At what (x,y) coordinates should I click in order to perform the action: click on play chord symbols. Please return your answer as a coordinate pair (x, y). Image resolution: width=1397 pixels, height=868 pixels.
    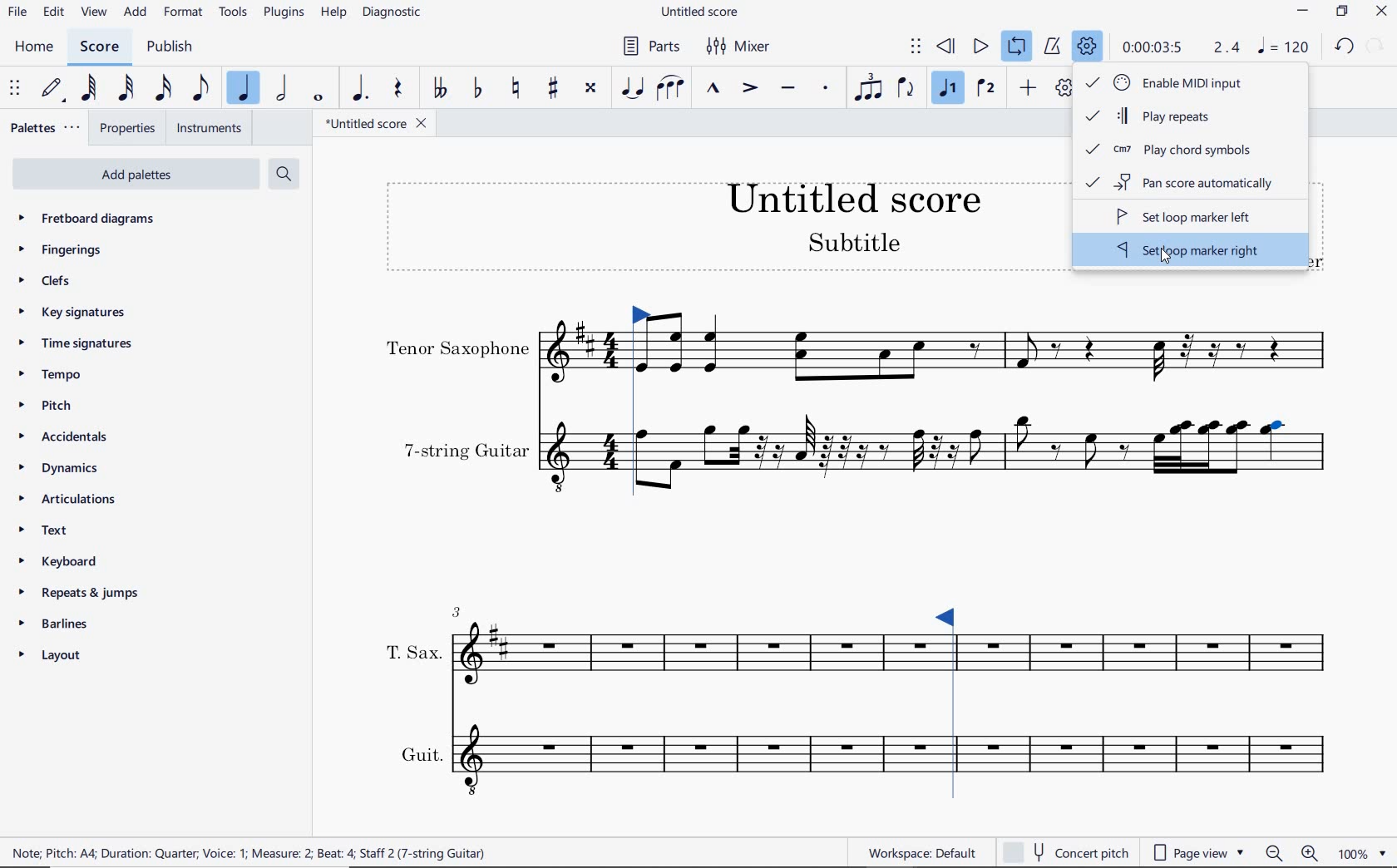
    Looking at the image, I should click on (1176, 150).